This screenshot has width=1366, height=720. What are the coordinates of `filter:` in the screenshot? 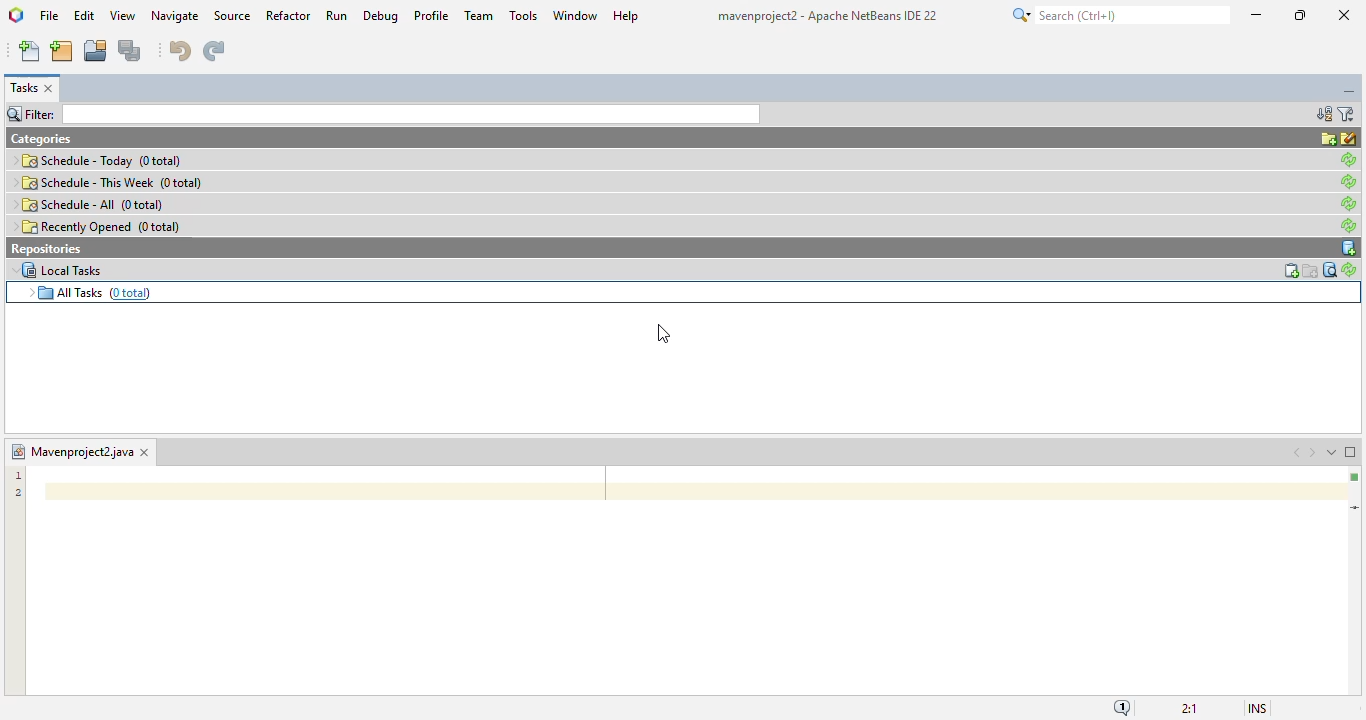 It's located at (382, 114).